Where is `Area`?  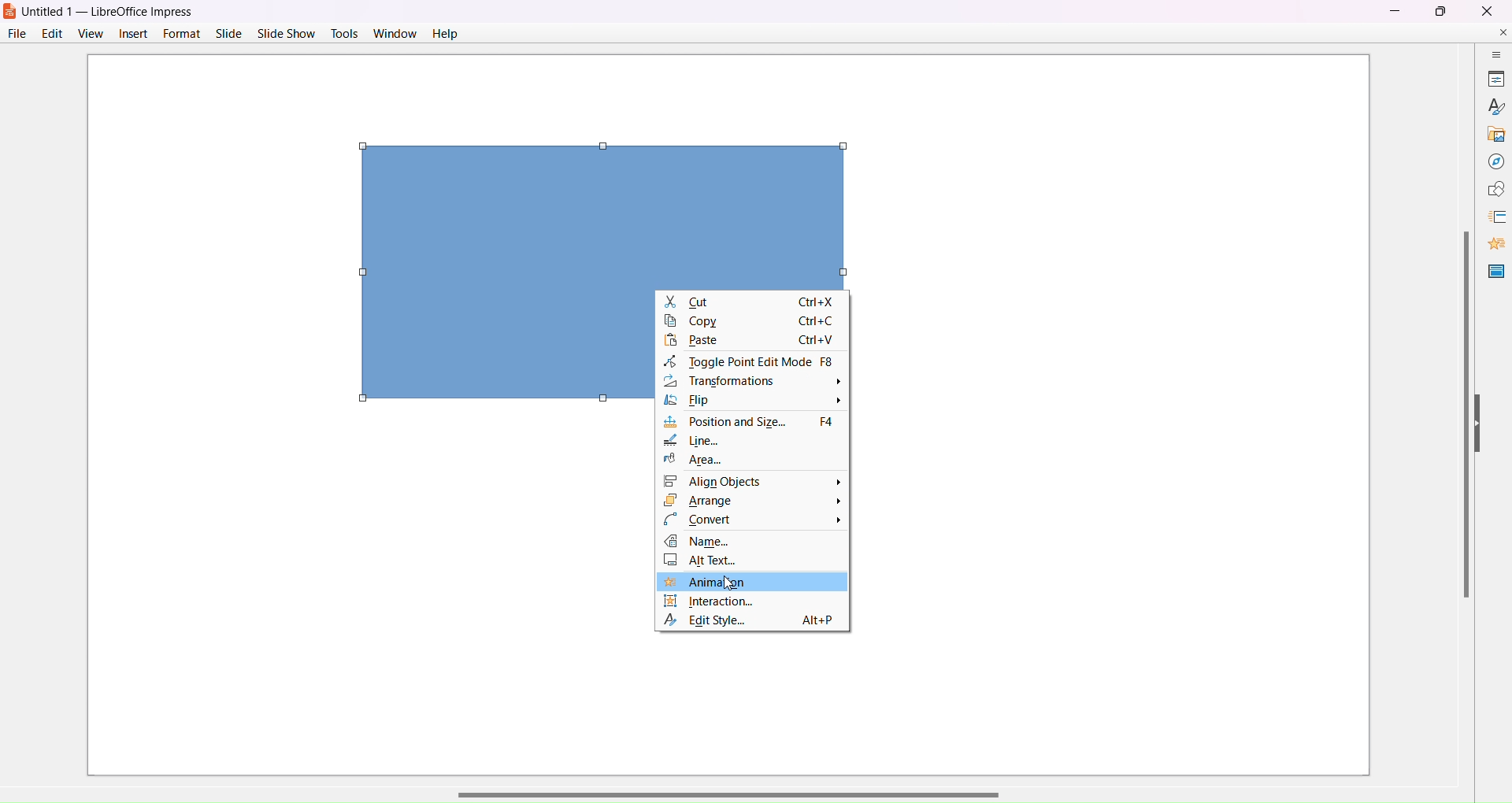 Area is located at coordinates (695, 459).